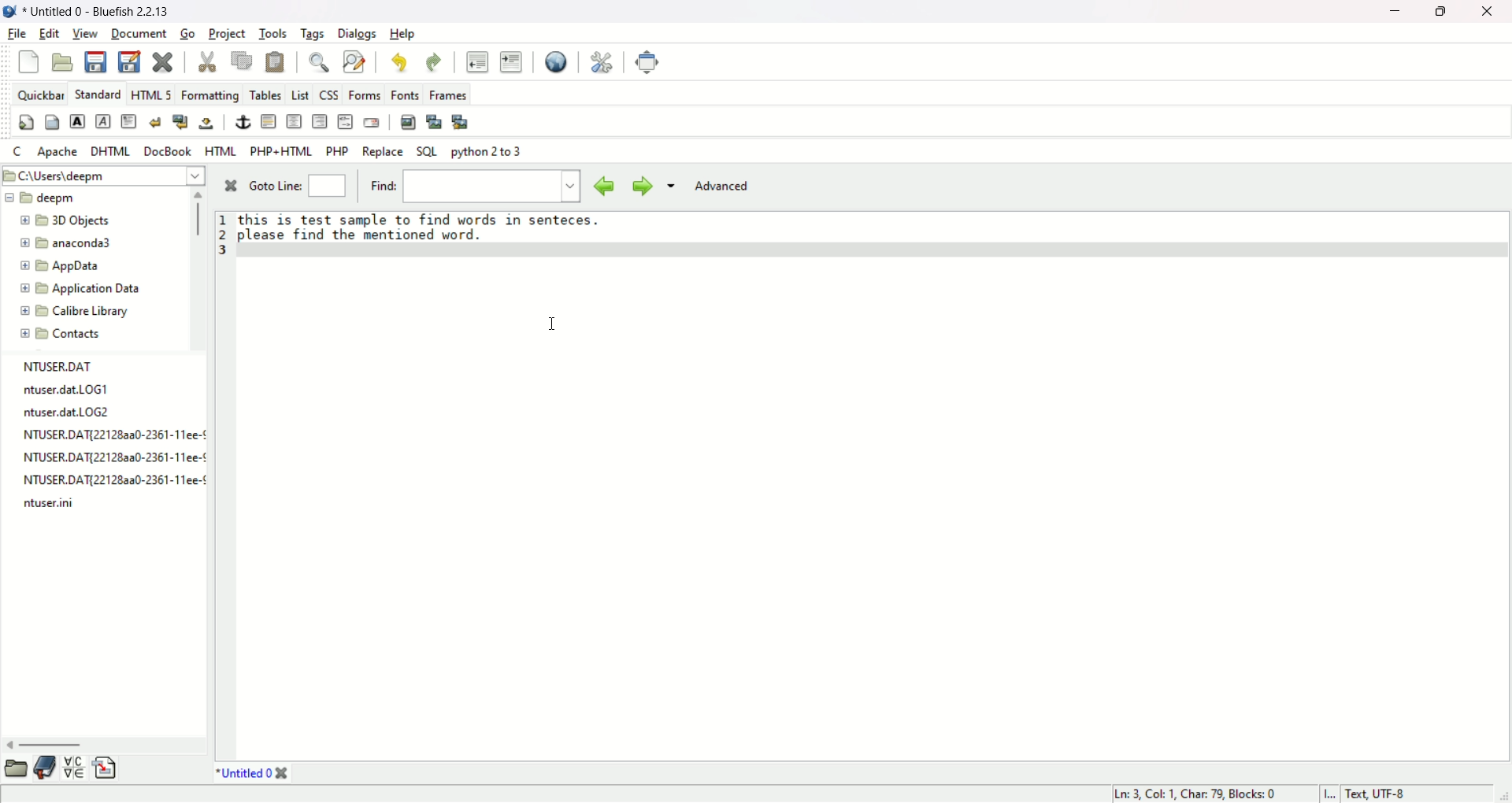 This screenshot has height=803, width=1512. I want to click on anchor/hyperlink, so click(244, 123).